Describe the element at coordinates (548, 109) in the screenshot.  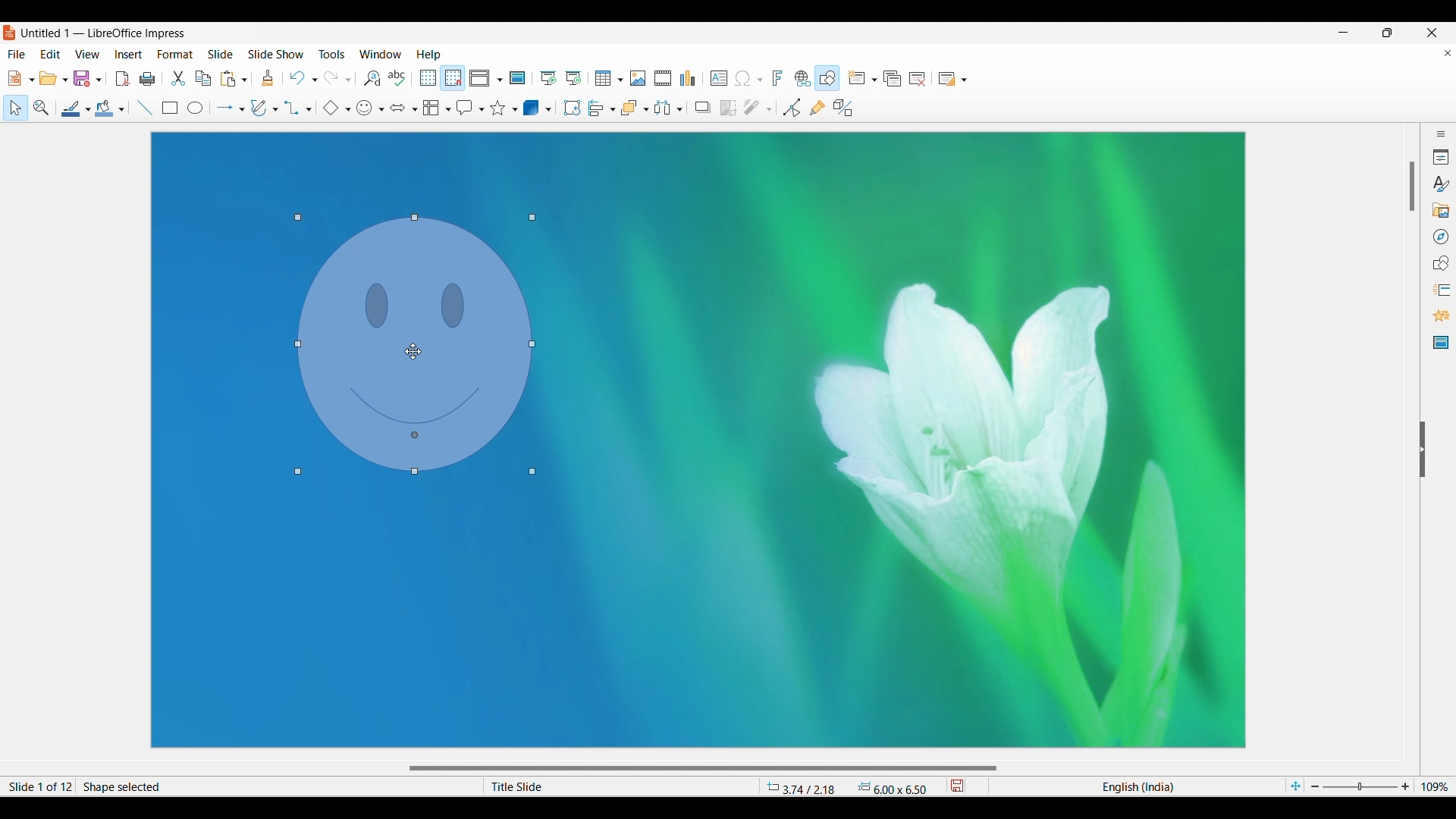
I see `3D shape options` at that location.